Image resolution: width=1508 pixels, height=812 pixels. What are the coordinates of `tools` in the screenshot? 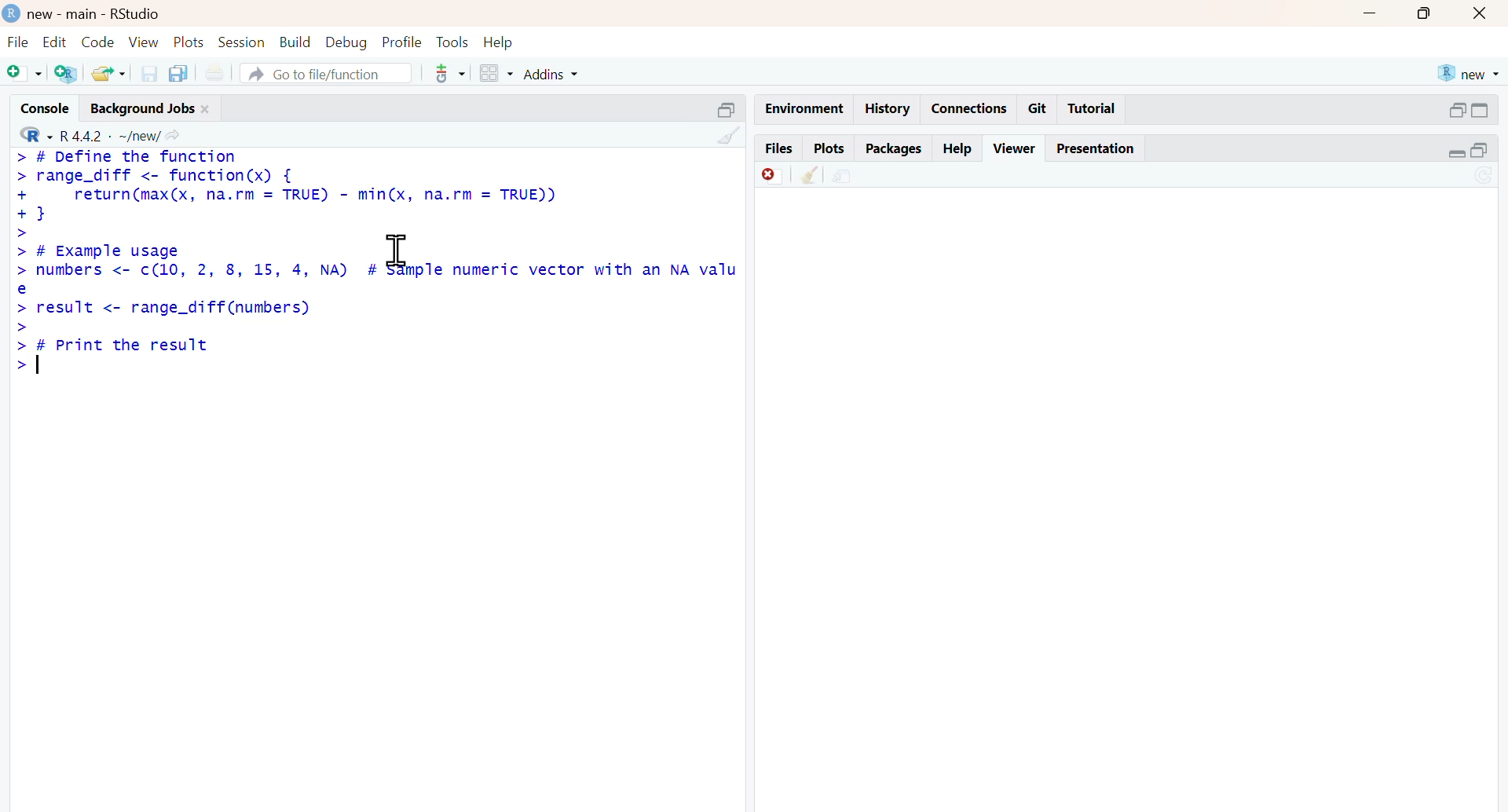 It's located at (454, 42).